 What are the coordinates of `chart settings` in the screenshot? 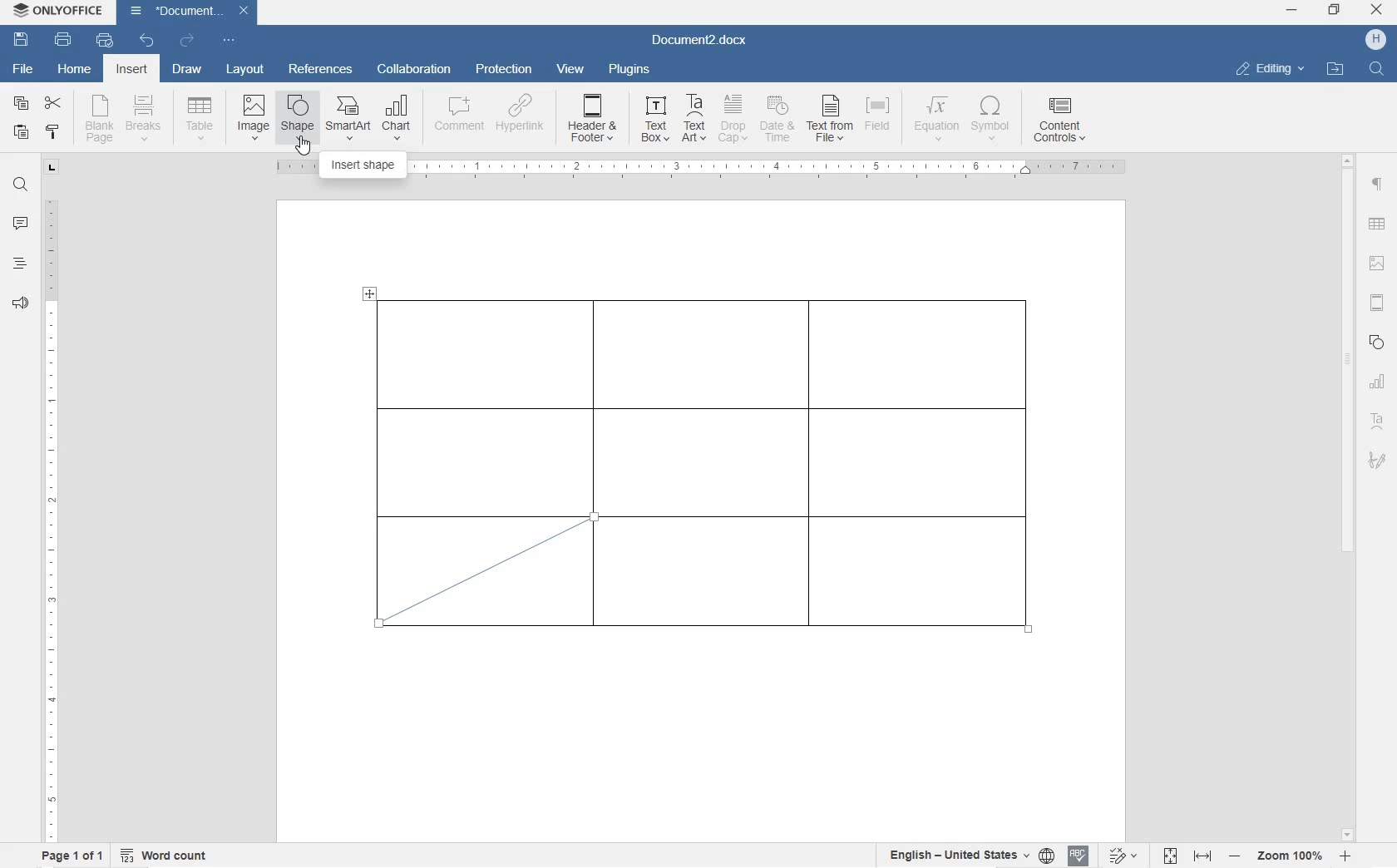 It's located at (1380, 382).